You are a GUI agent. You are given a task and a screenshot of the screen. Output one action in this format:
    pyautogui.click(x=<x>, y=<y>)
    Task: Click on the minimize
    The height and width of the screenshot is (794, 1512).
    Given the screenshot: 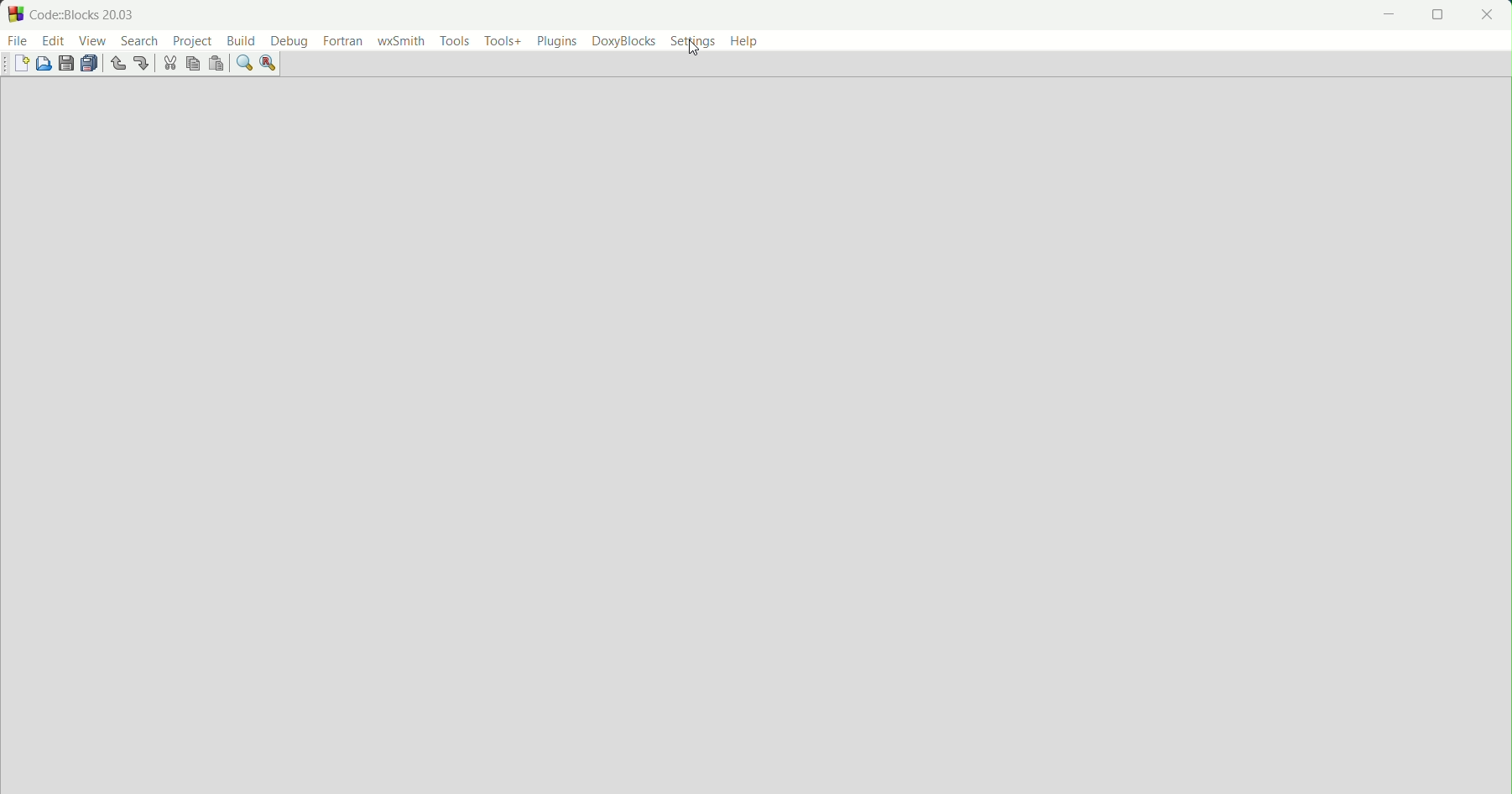 What is the action you would take?
    pyautogui.click(x=1385, y=15)
    